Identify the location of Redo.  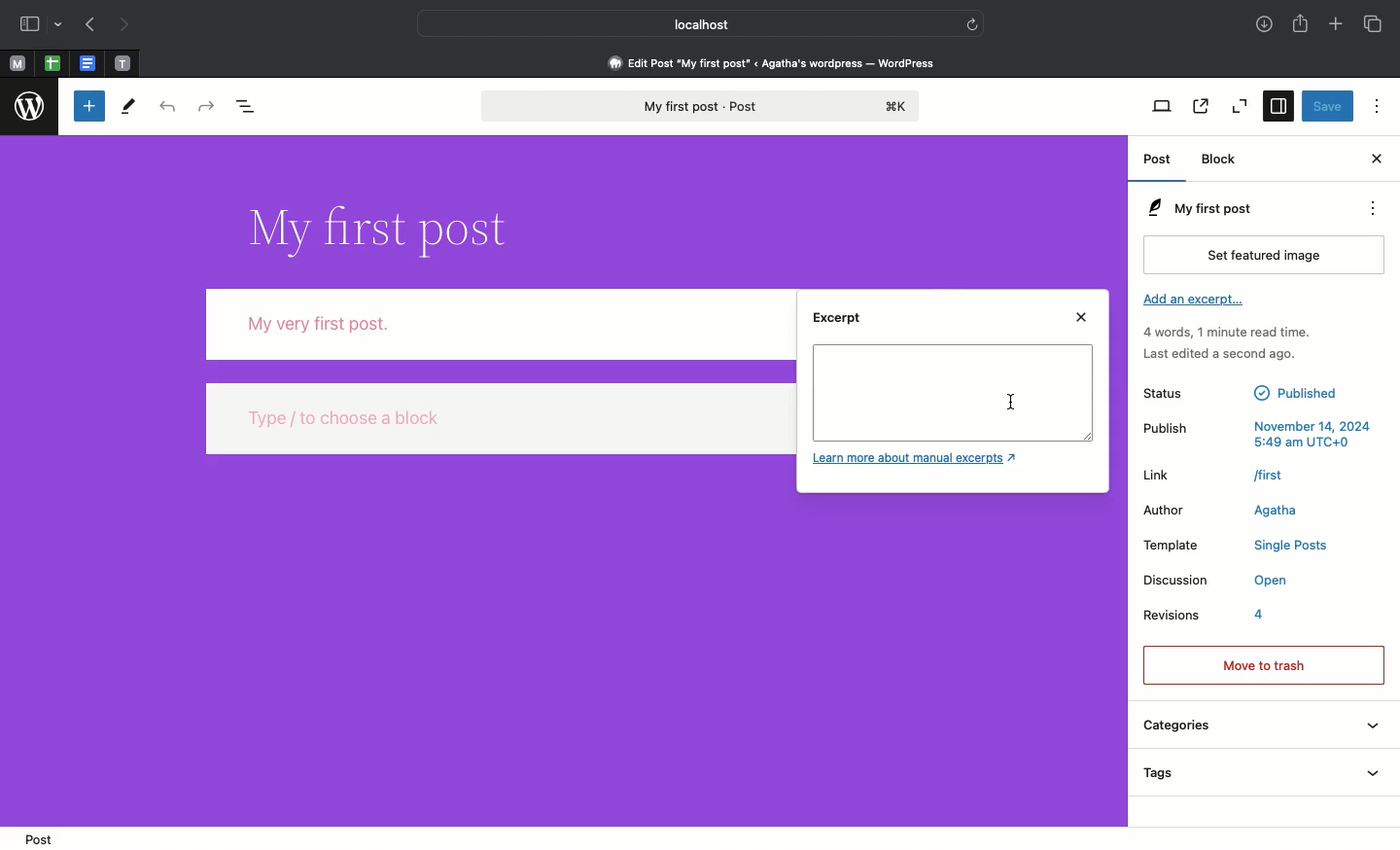
(206, 106).